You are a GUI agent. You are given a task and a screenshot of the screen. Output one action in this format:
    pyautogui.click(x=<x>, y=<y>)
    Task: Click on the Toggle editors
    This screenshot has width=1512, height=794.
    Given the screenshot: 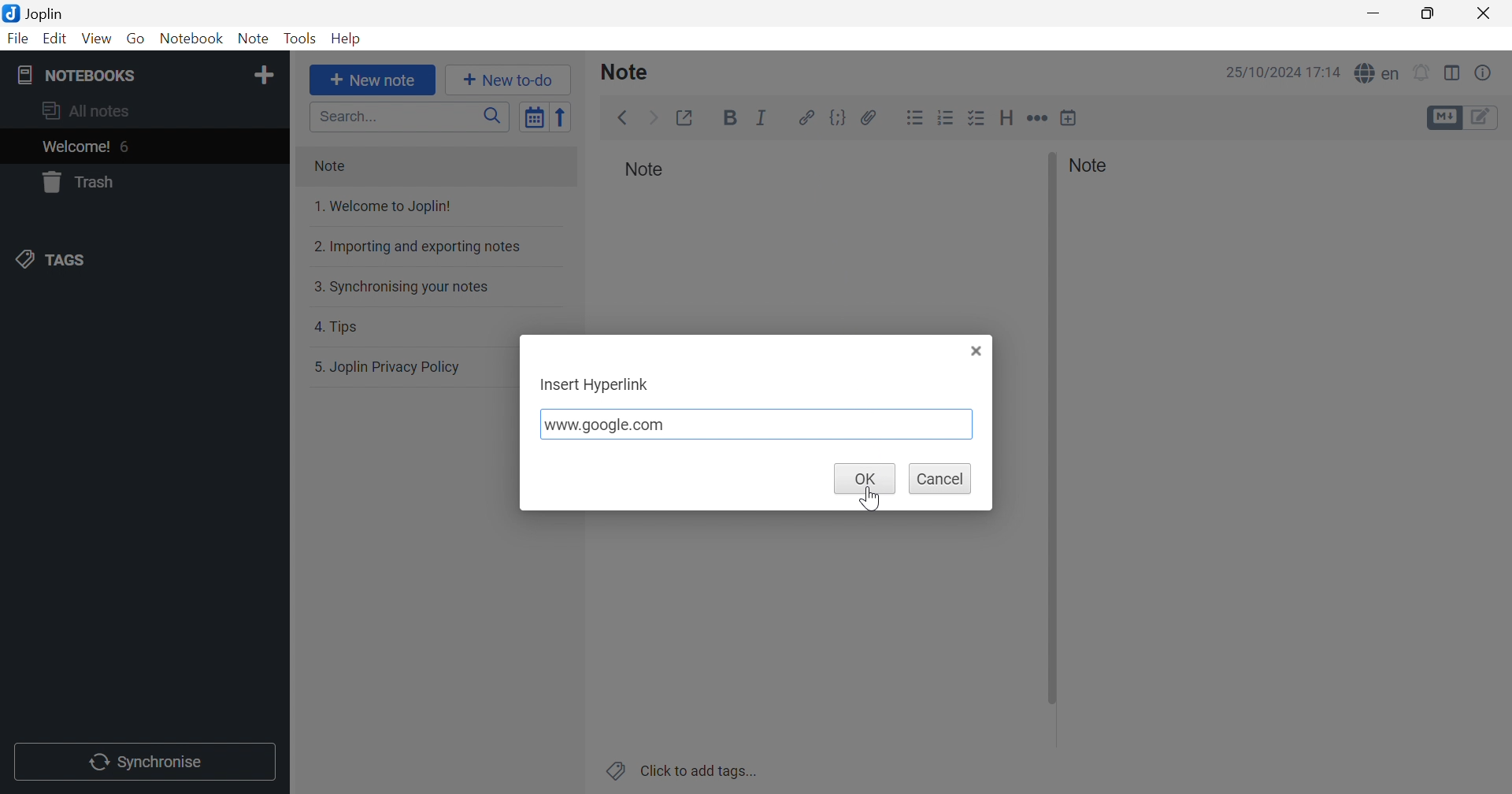 What is the action you would take?
    pyautogui.click(x=1483, y=118)
    